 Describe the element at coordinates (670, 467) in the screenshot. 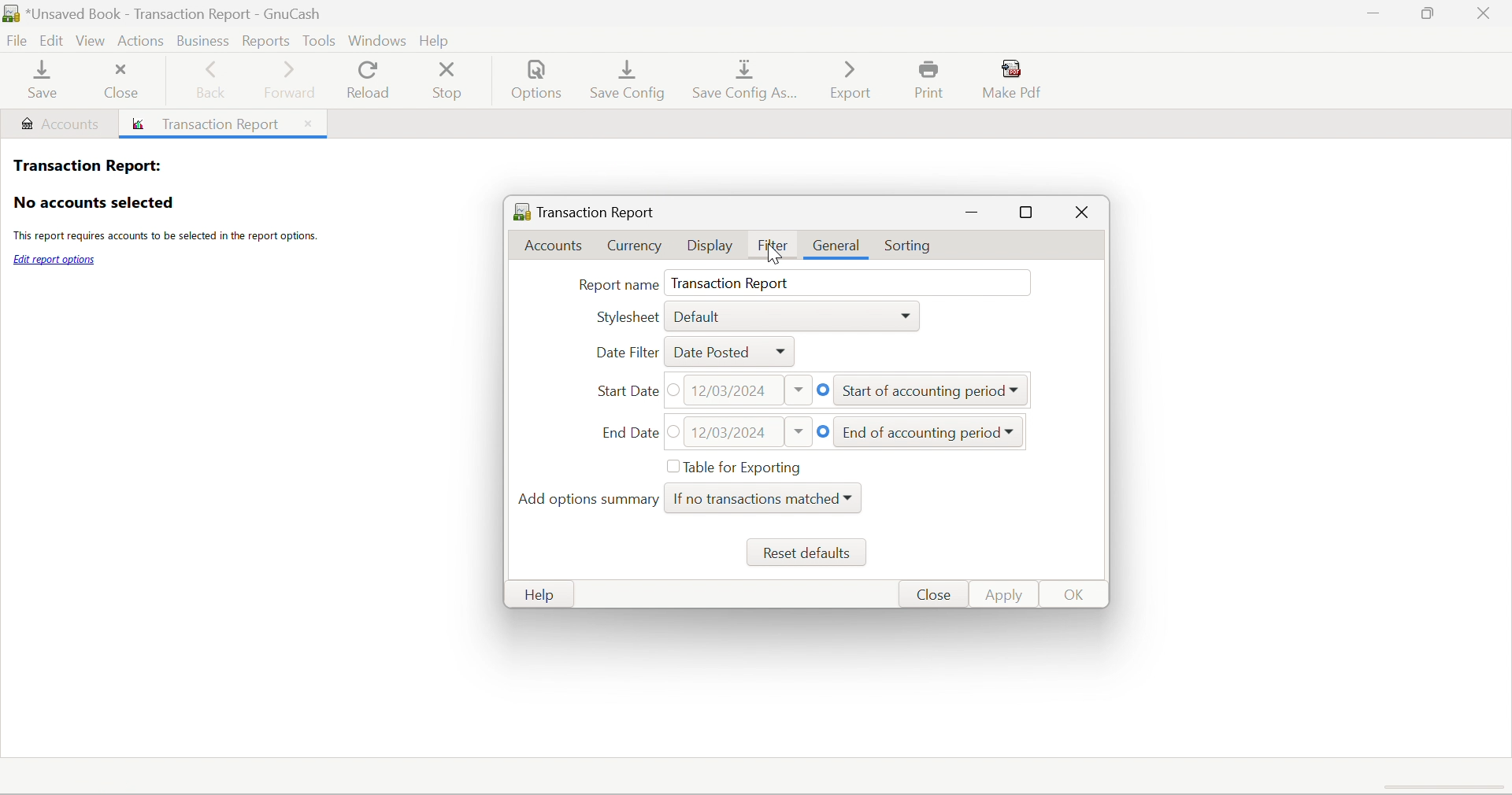

I see `Checkbox` at that location.